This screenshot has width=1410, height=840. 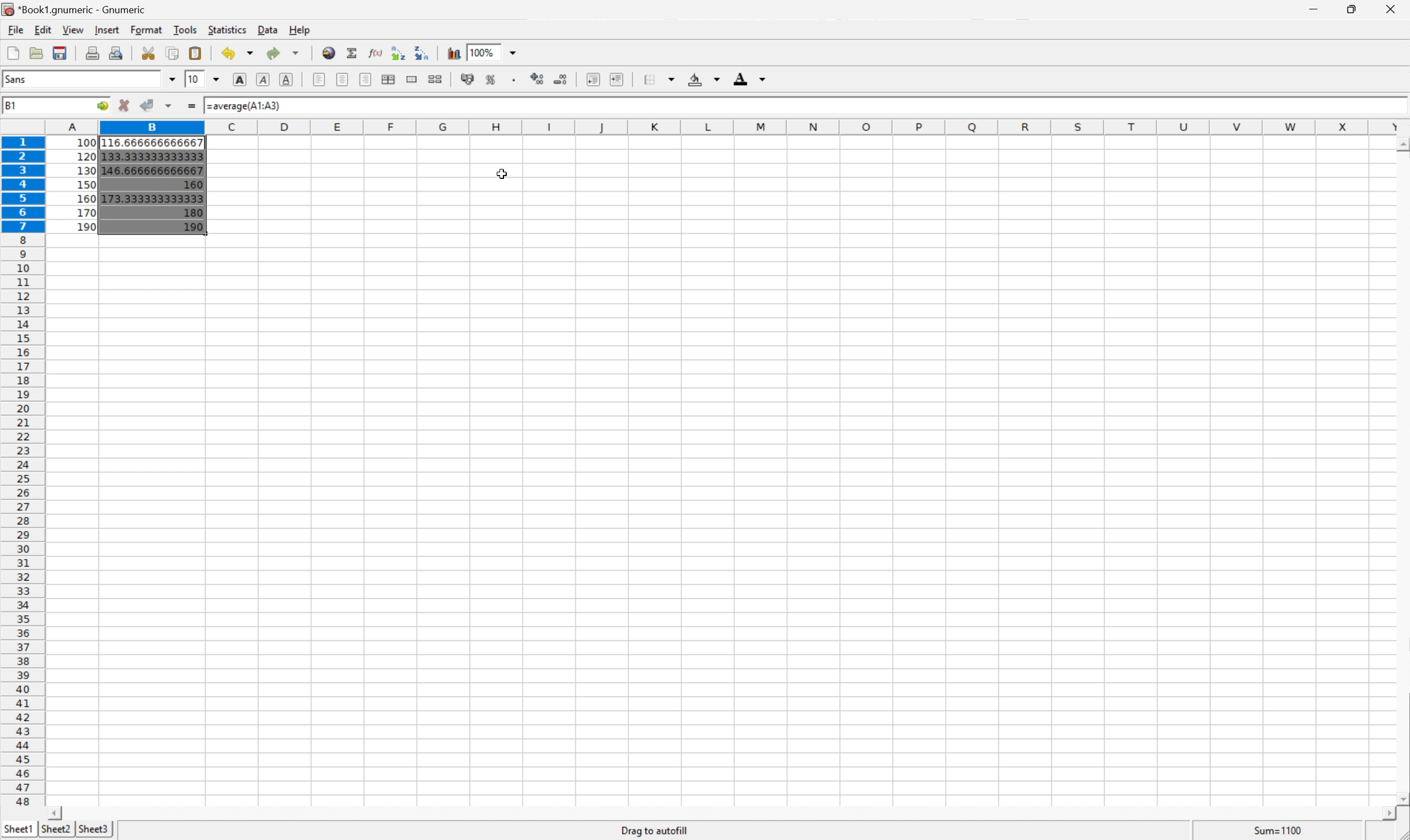 What do you see at coordinates (350, 52) in the screenshot?
I see `Sum into current cell` at bounding box center [350, 52].